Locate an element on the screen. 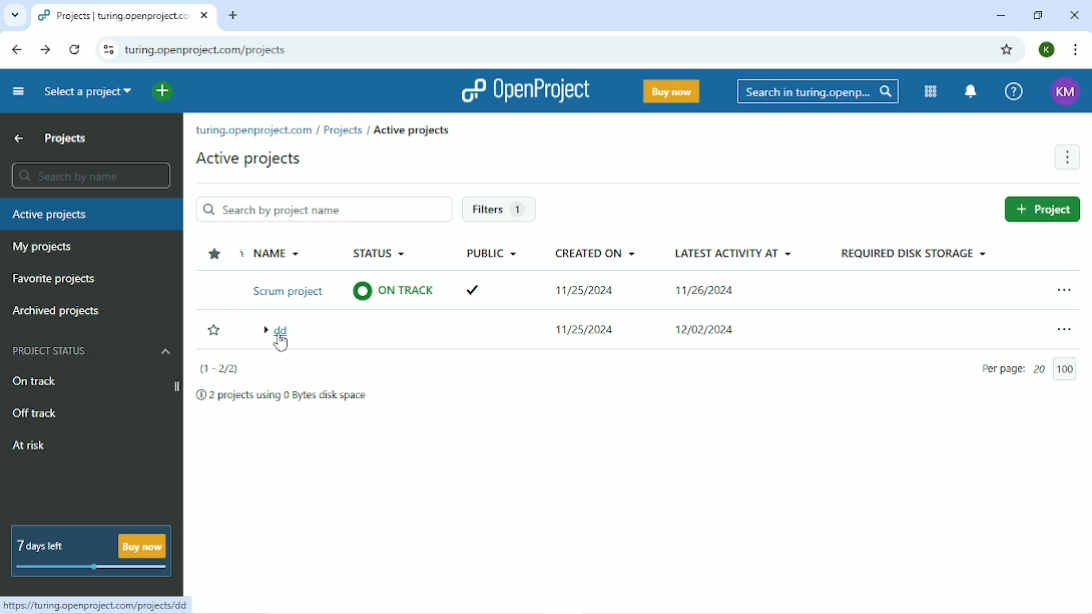 Image resolution: width=1092 pixels, height=614 pixels. OpenProject is located at coordinates (523, 92).